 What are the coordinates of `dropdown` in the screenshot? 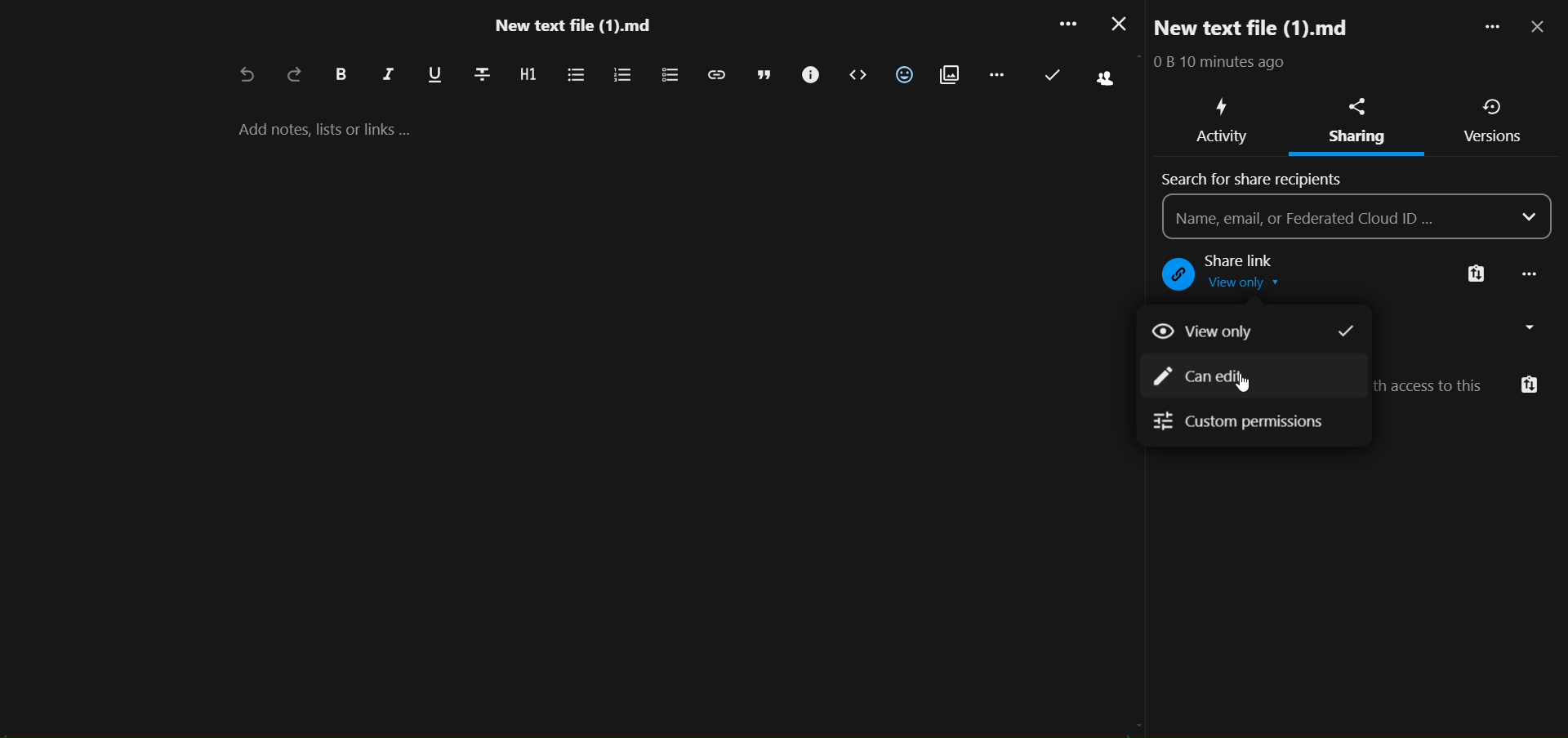 It's located at (1530, 217).